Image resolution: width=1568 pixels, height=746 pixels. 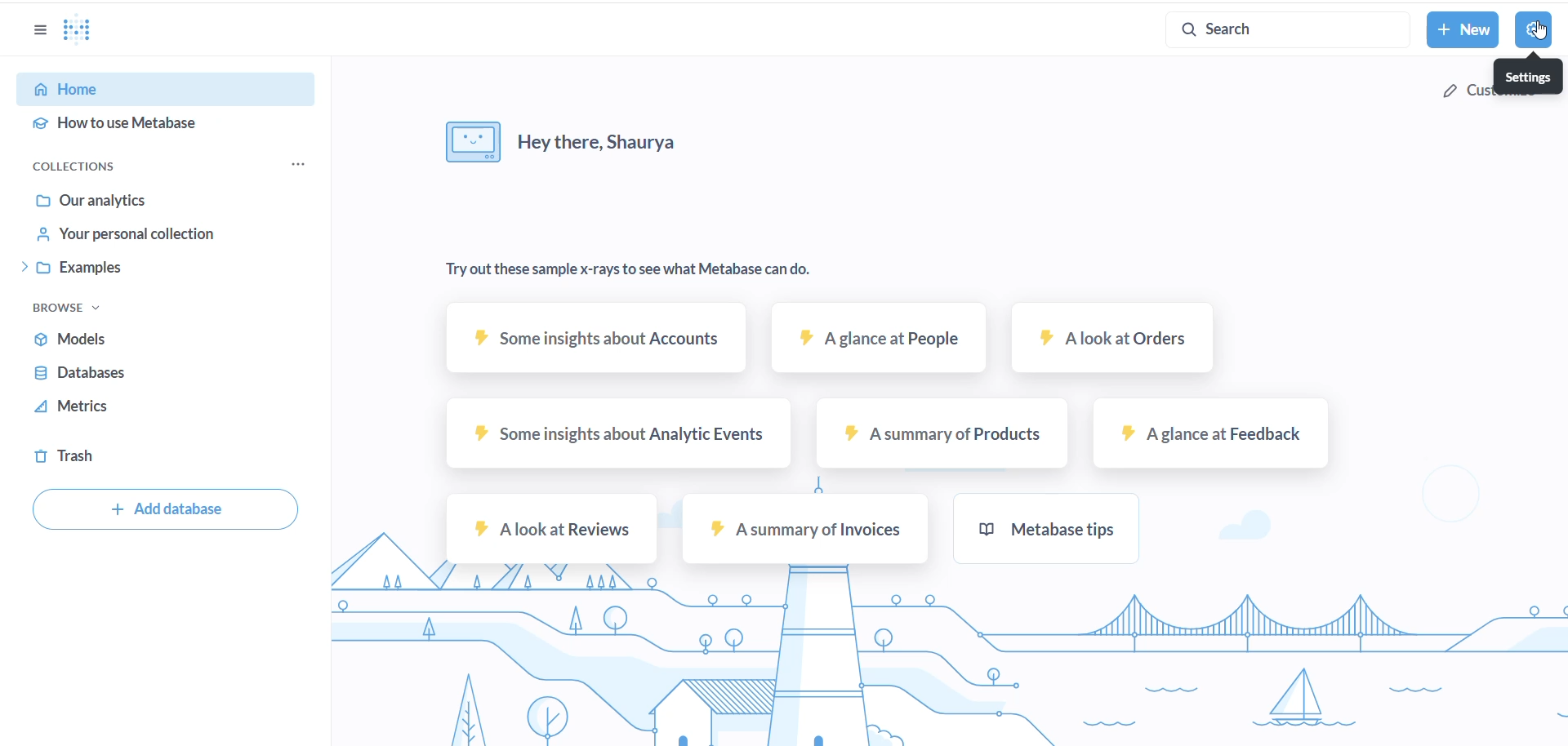 What do you see at coordinates (155, 458) in the screenshot?
I see `trash` at bounding box center [155, 458].